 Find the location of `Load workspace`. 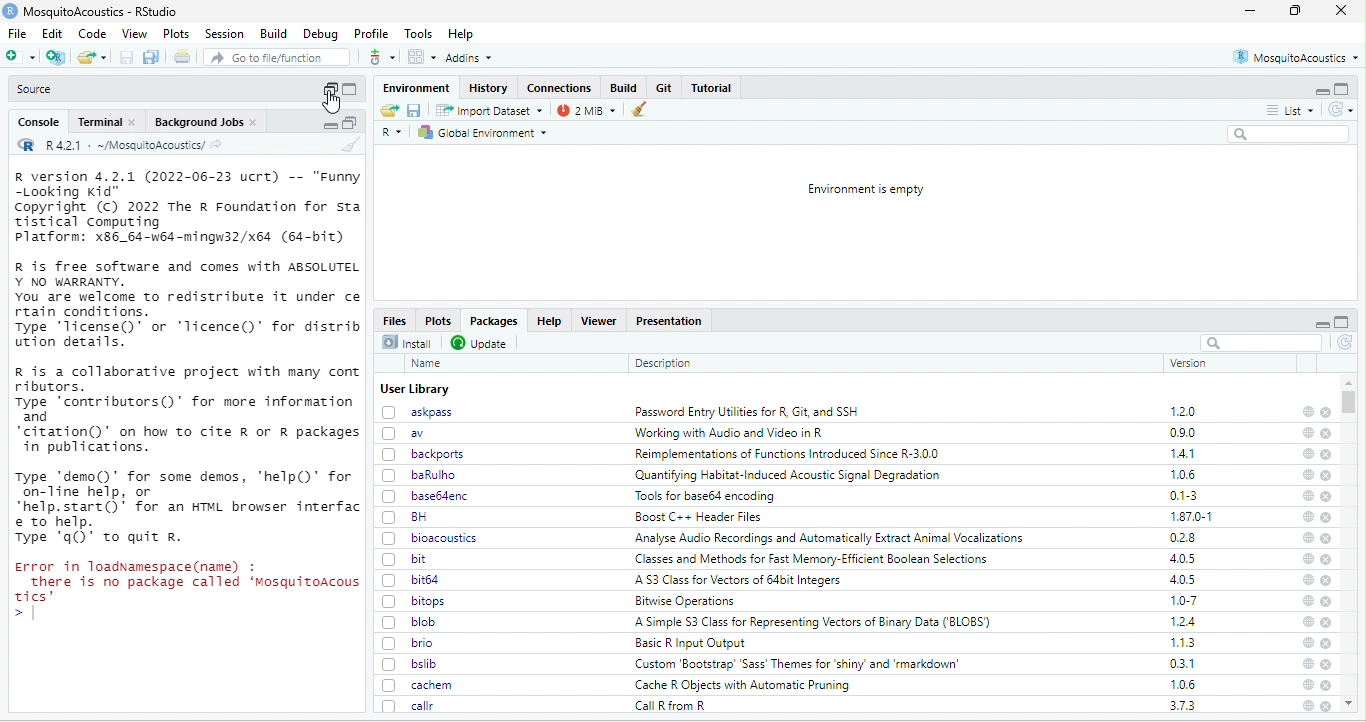

Load workspace is located at coordinates (388, 110).